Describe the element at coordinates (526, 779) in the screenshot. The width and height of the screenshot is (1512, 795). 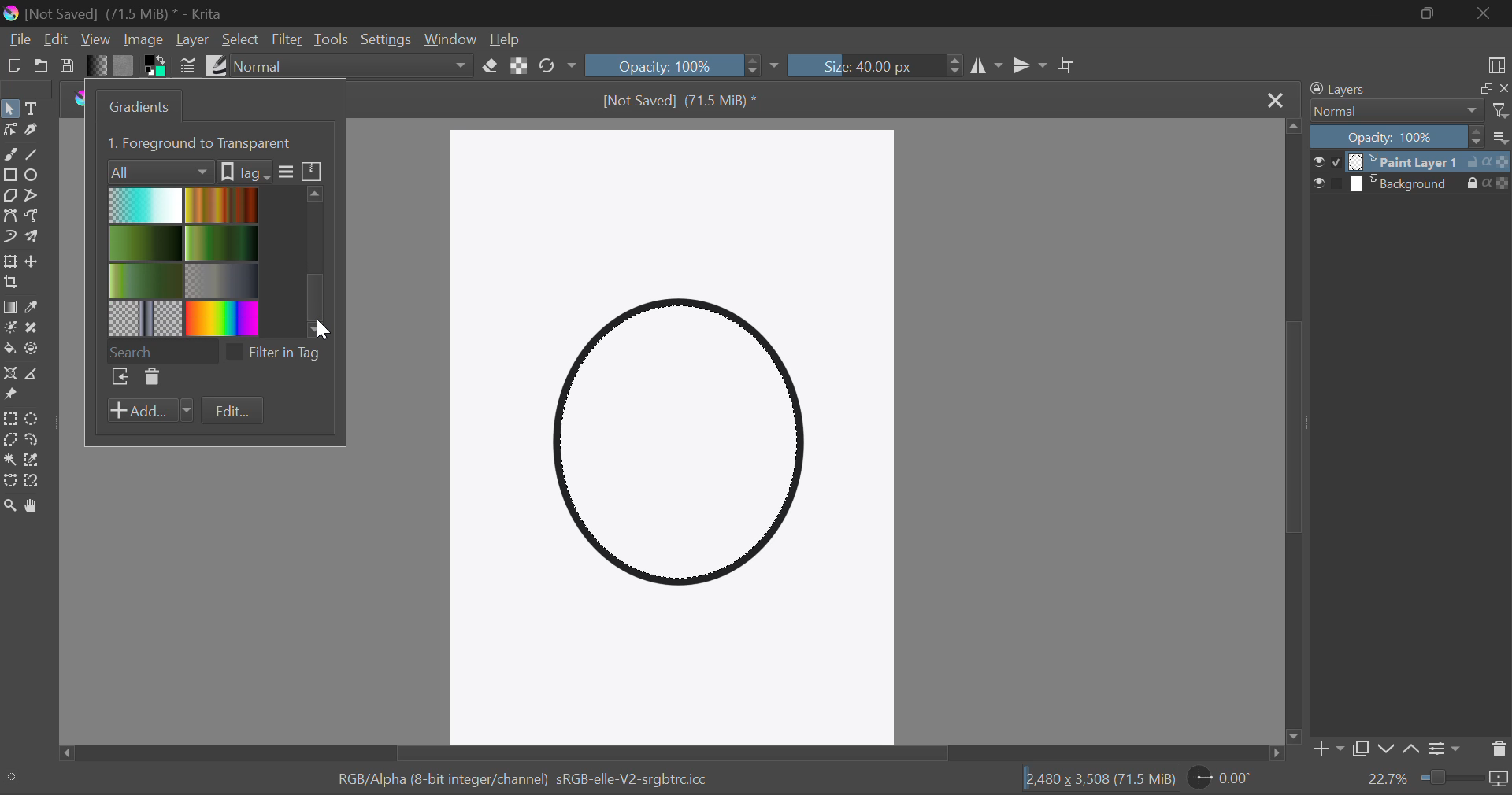
I see `RGB/Alpha (8-bit integer/channel) sRGB-elle-V2-srgbtrc.icc` at that location.